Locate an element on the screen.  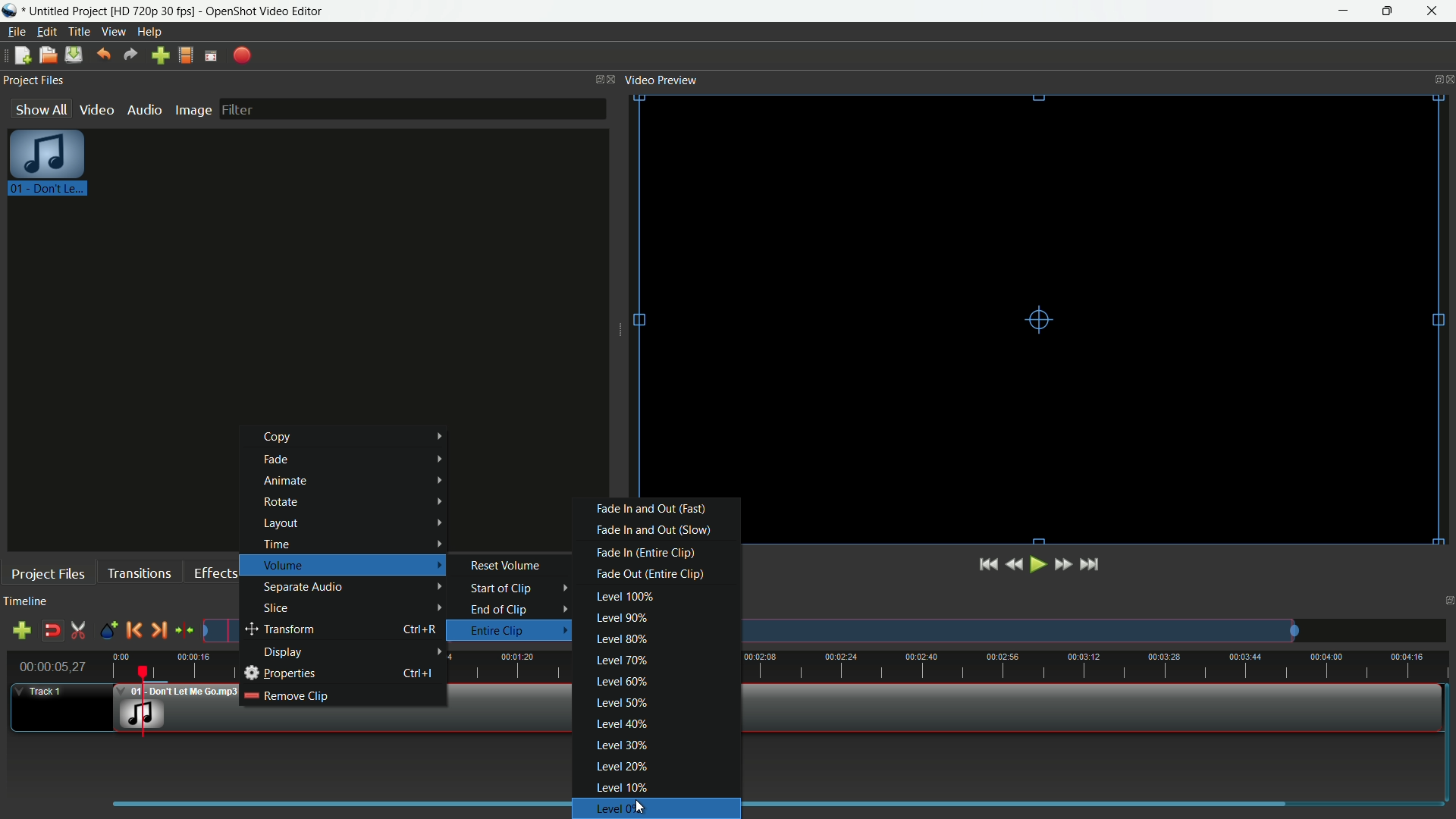
close project files is located at coordinates (613, 78).